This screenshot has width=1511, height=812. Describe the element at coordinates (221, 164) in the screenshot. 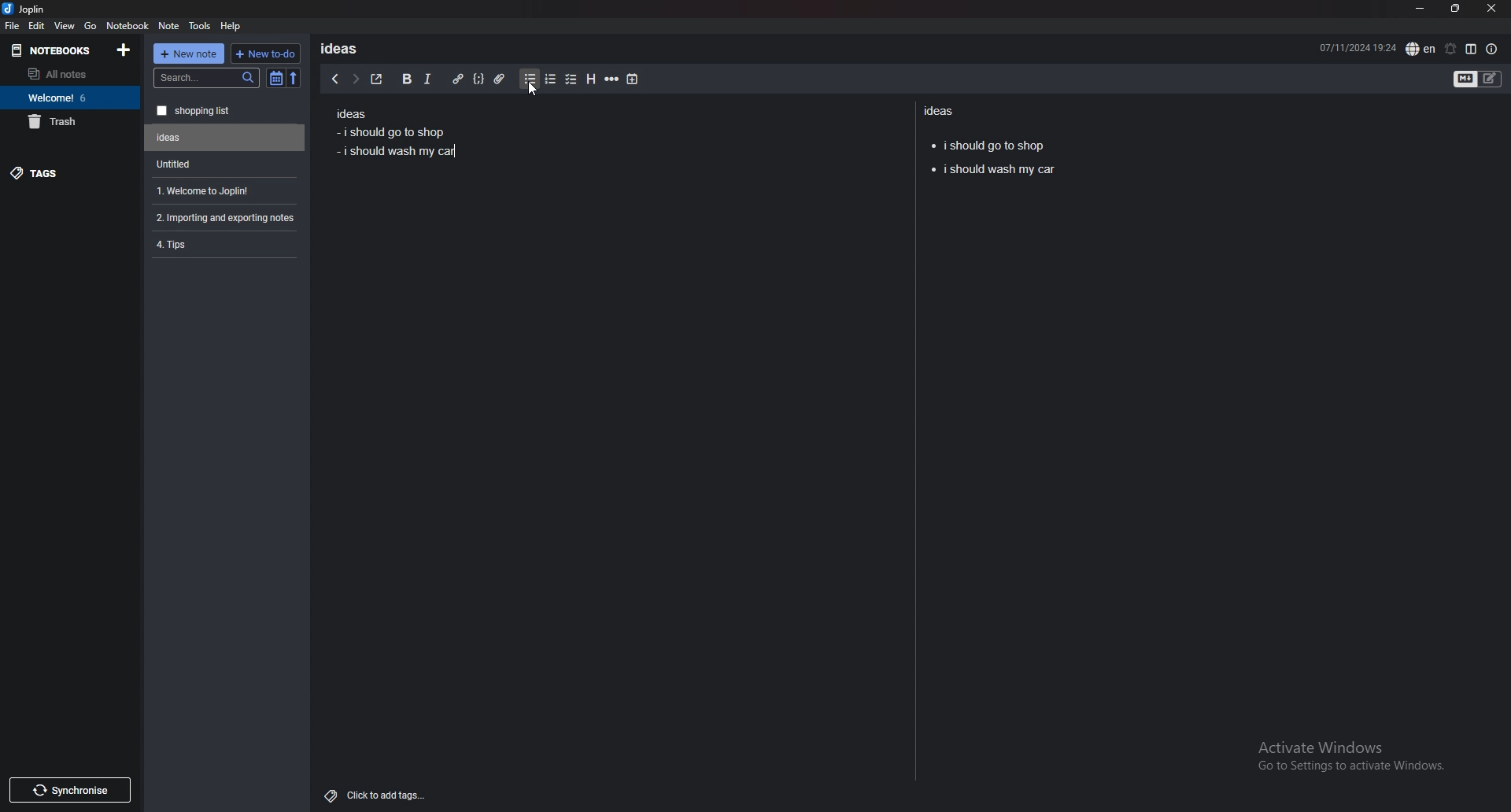

I see `Untitled` at that location.